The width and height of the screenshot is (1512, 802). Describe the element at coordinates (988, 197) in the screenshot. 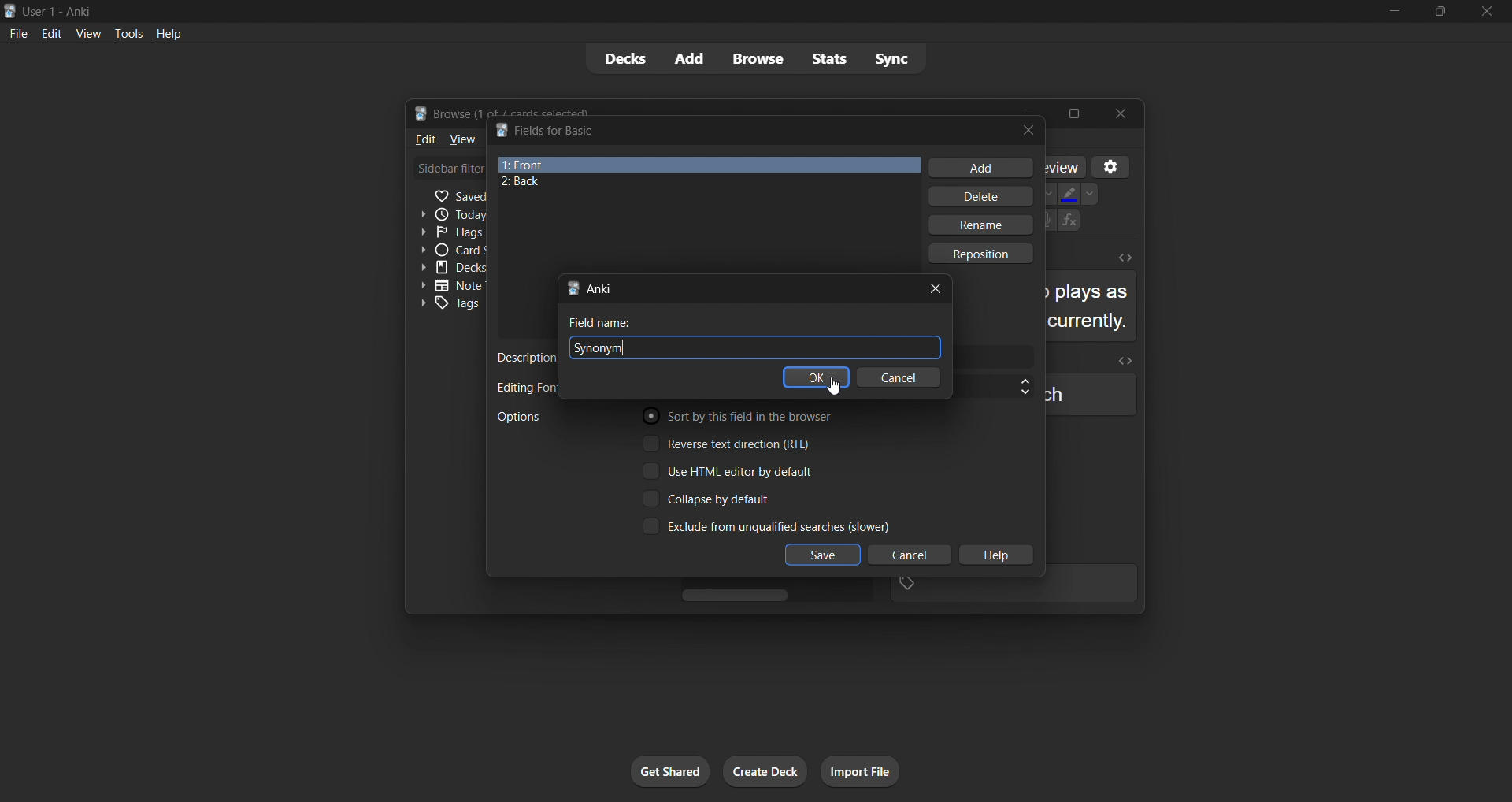

I see `delete field` at that location.